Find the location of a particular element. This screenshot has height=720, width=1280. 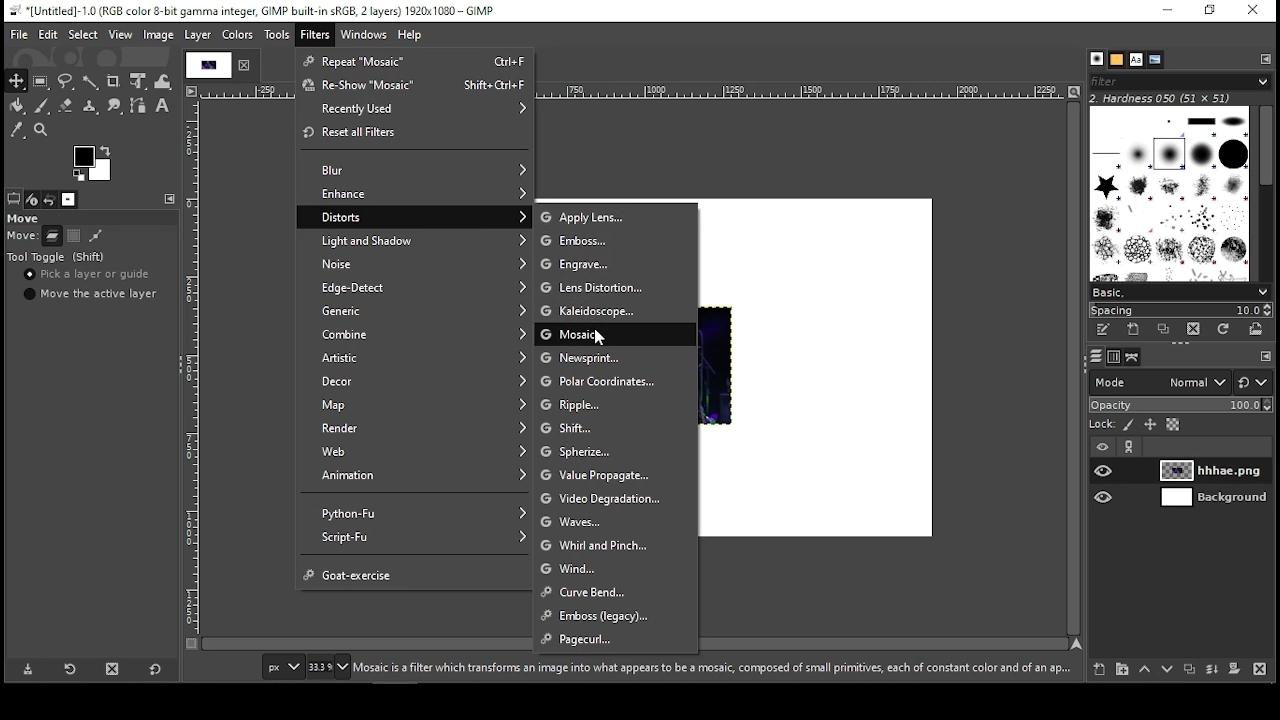

colors is located at coordinates (94, 161).